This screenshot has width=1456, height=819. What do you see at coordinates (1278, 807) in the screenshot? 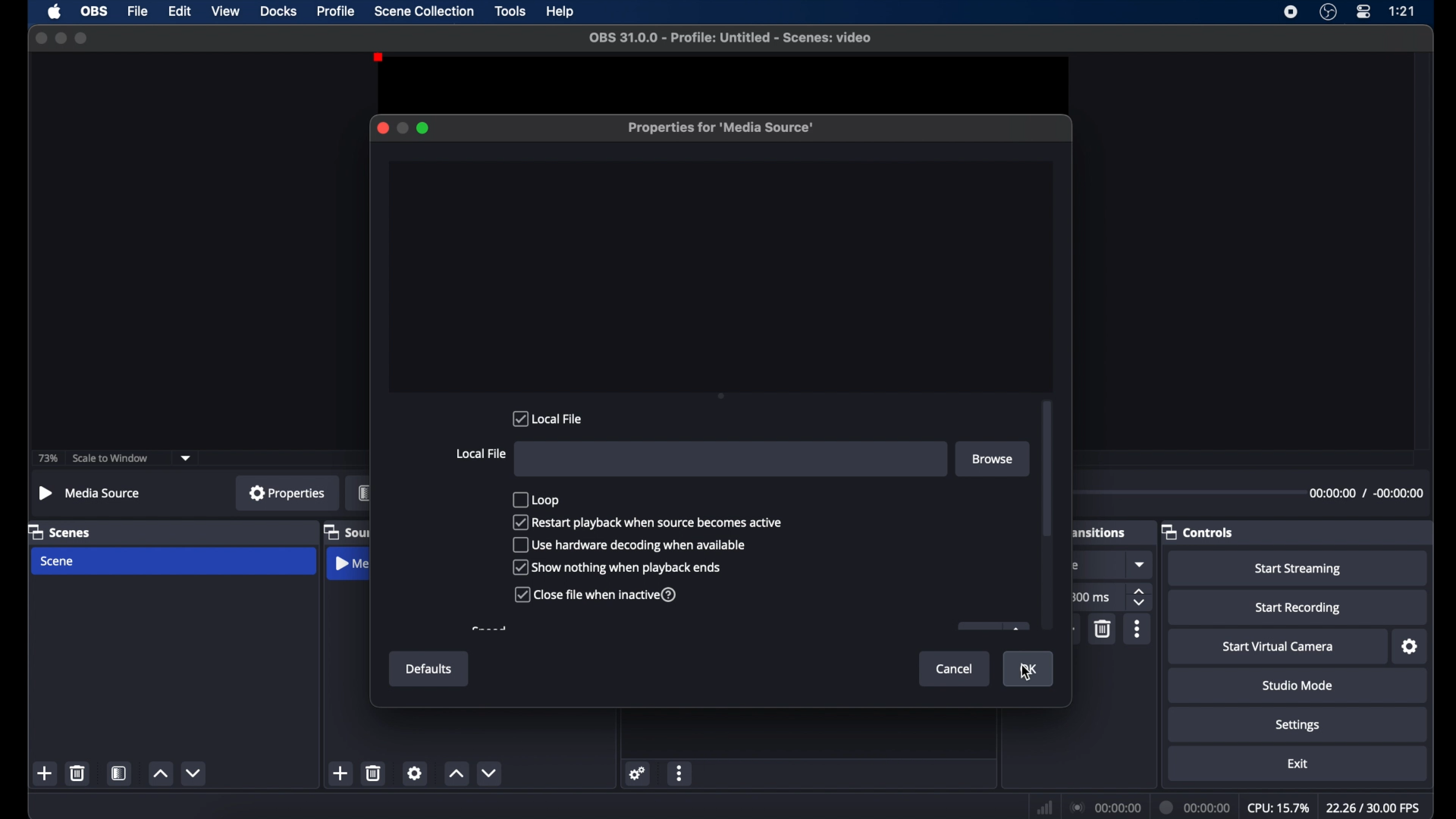
I see `cpu` at bounding box center [1278, 807].